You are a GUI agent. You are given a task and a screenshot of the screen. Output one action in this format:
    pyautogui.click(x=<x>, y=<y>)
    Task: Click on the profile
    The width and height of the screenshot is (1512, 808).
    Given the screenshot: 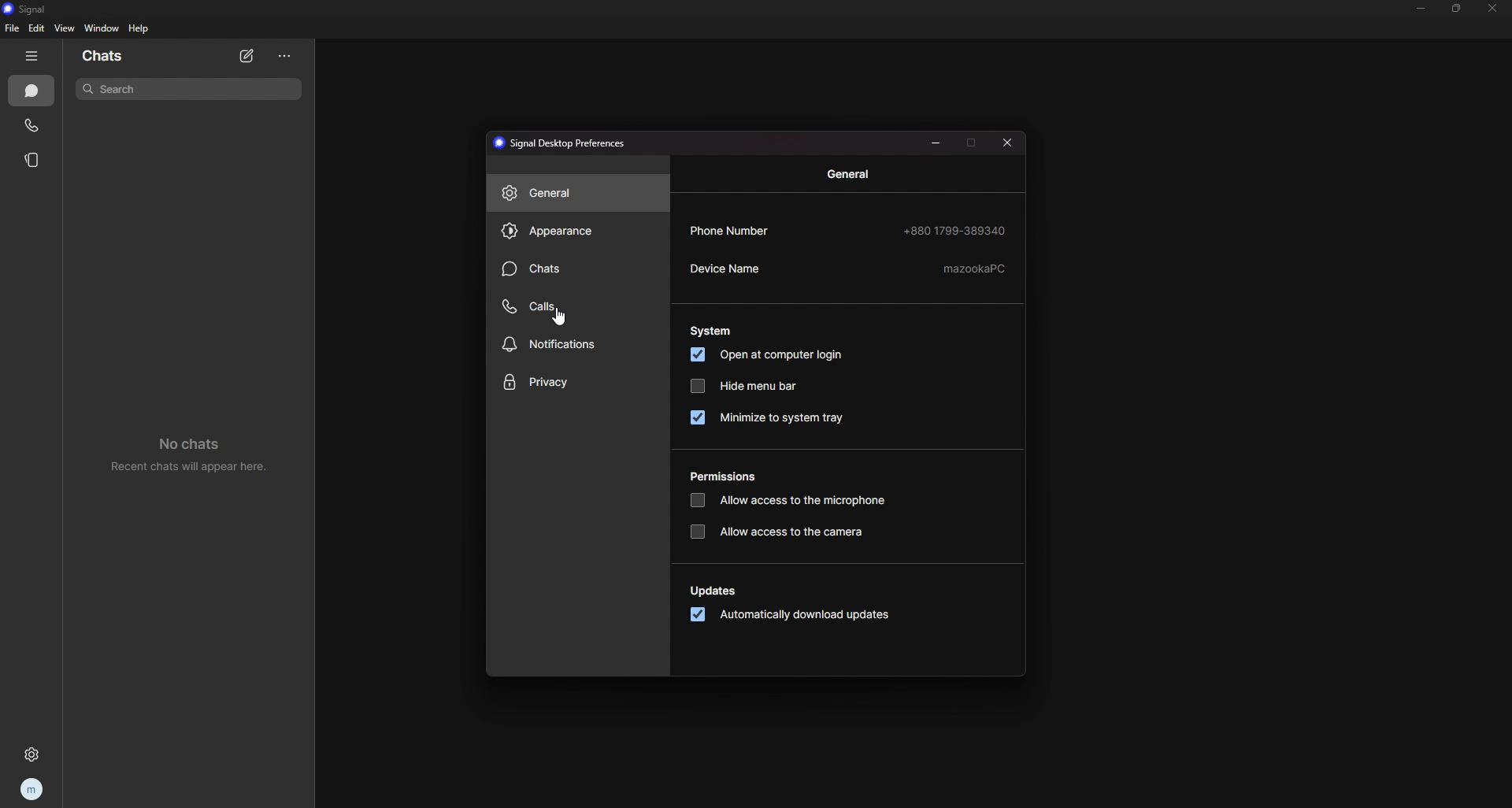 What is the action you would take?
    pyautogui.click(x=33, y=788)
    